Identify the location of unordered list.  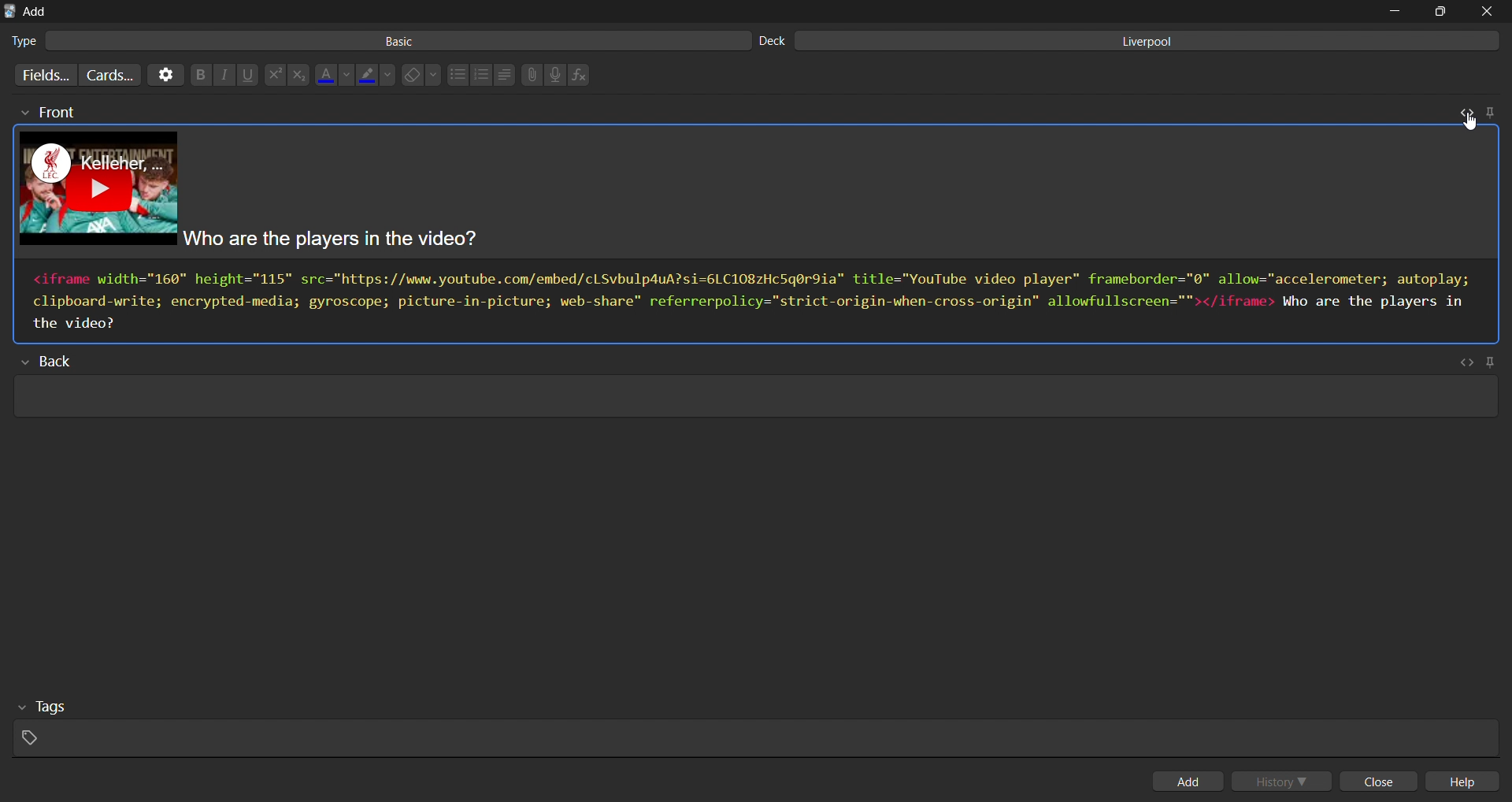
(457, 76).